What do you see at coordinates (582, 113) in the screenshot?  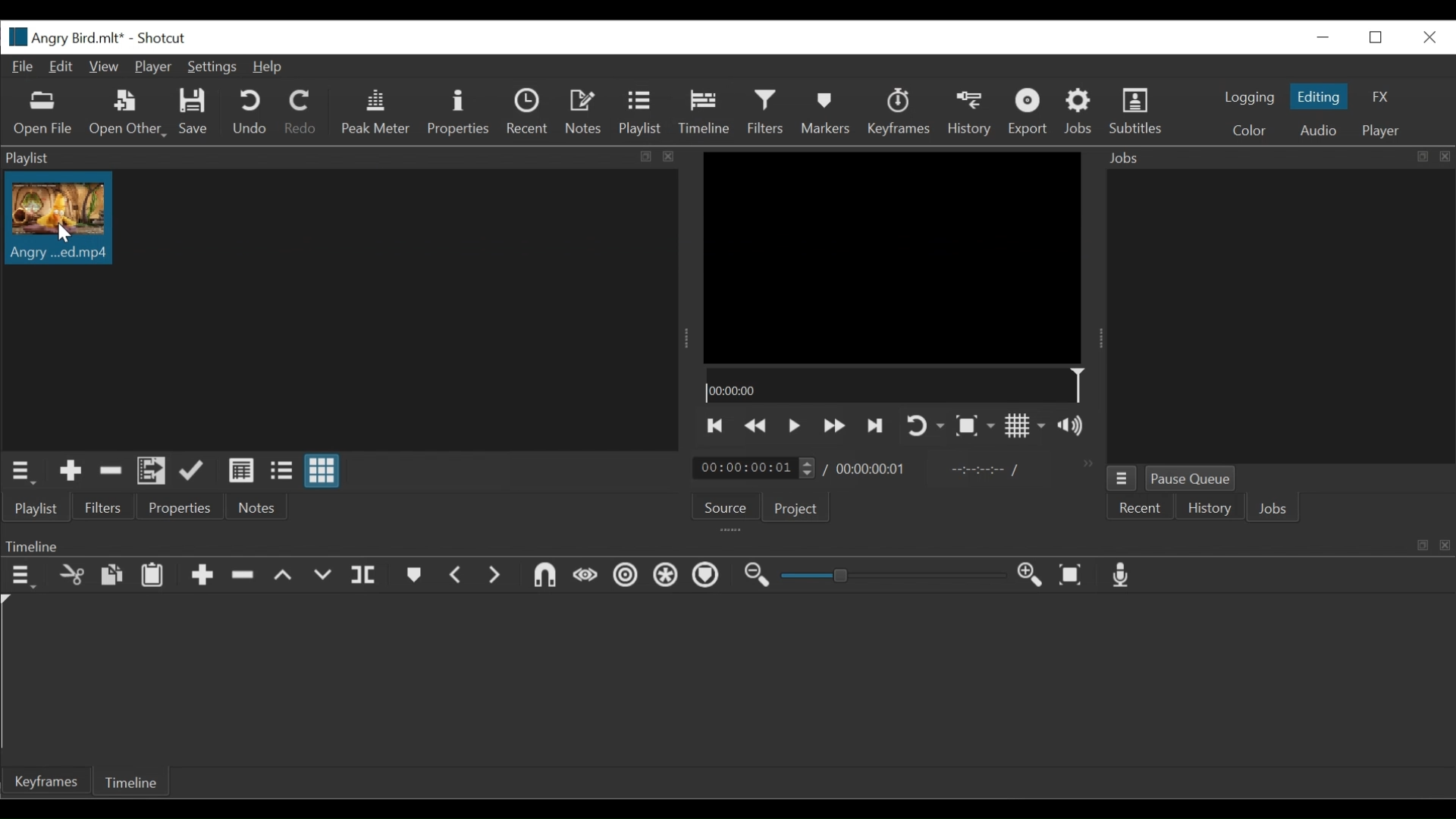 I see `Notes` at bounding box center [582, 113].